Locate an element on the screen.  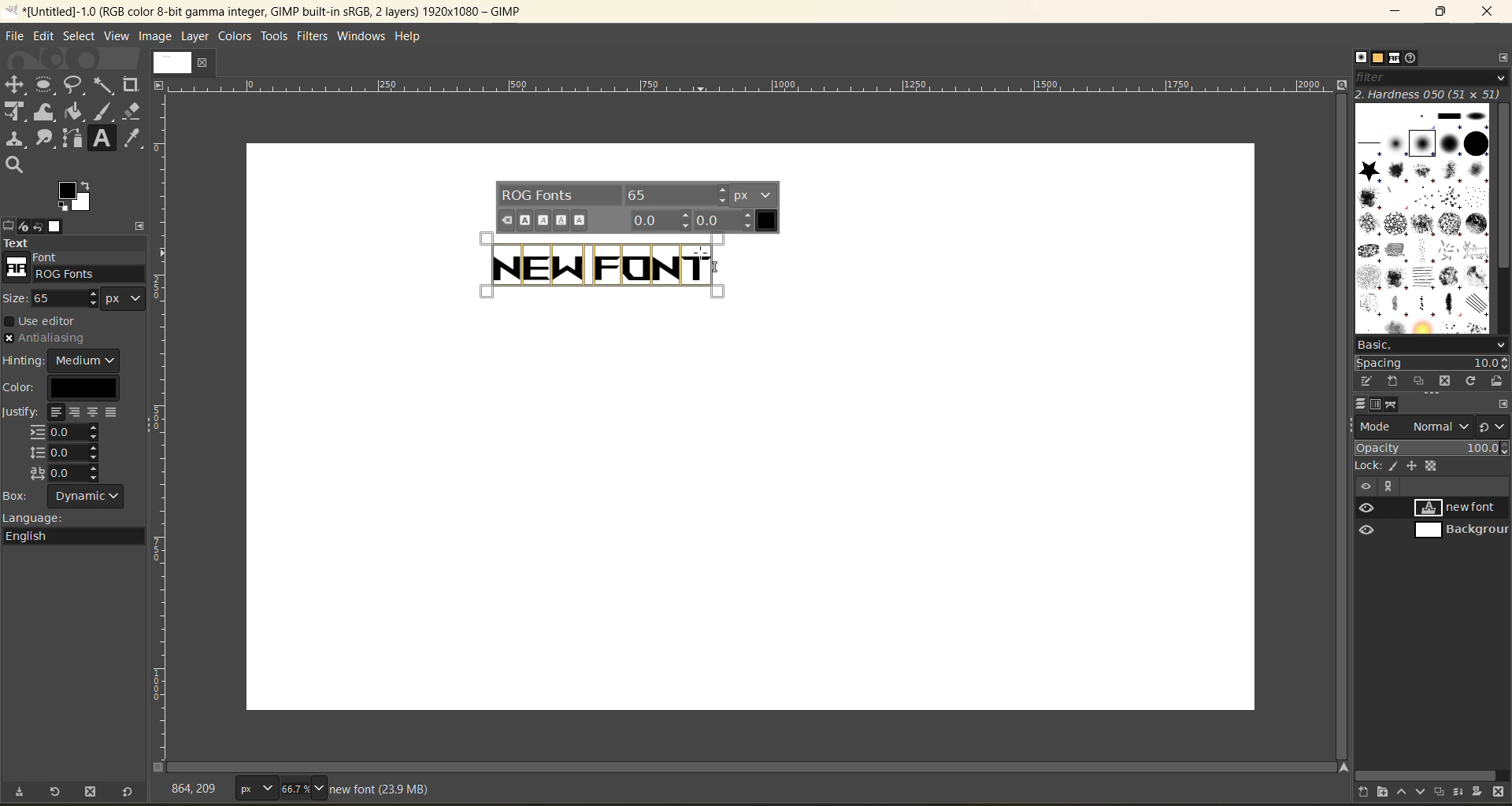
cursor is located at coordinates (710, 259).